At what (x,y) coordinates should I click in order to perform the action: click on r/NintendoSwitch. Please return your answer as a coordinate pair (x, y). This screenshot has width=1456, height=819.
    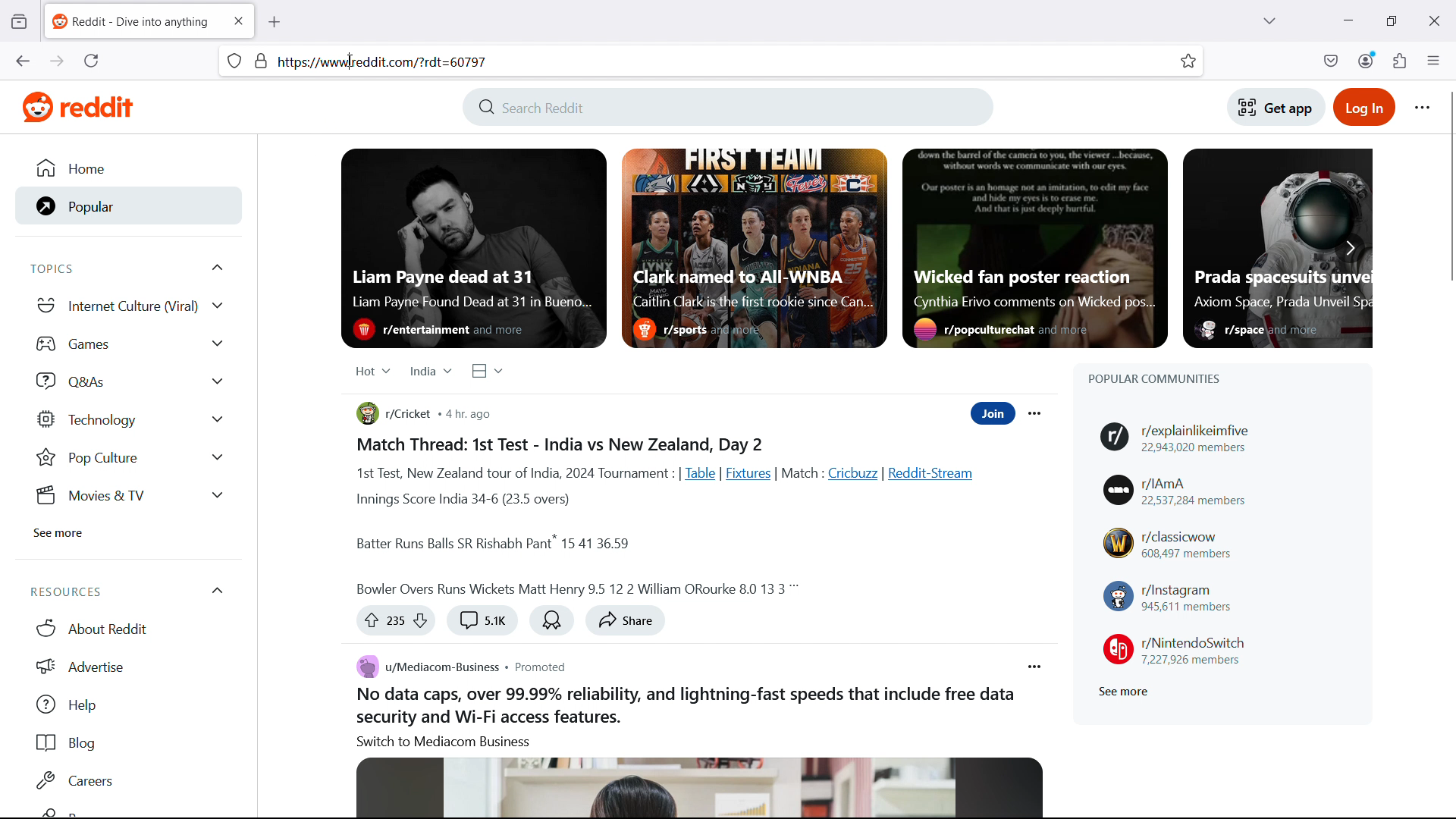
    Looking at the image, I should click on (1175, 648).